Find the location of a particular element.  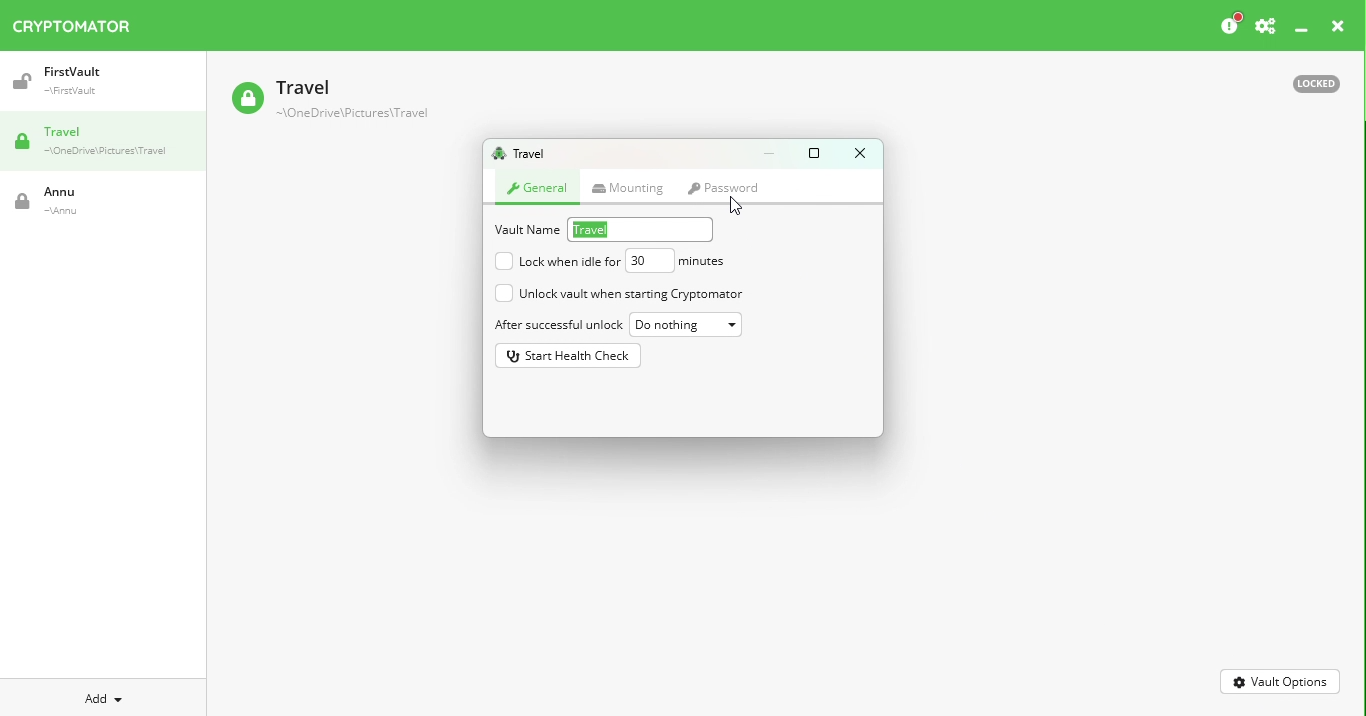

Travel is located at coordinates (110, 143).